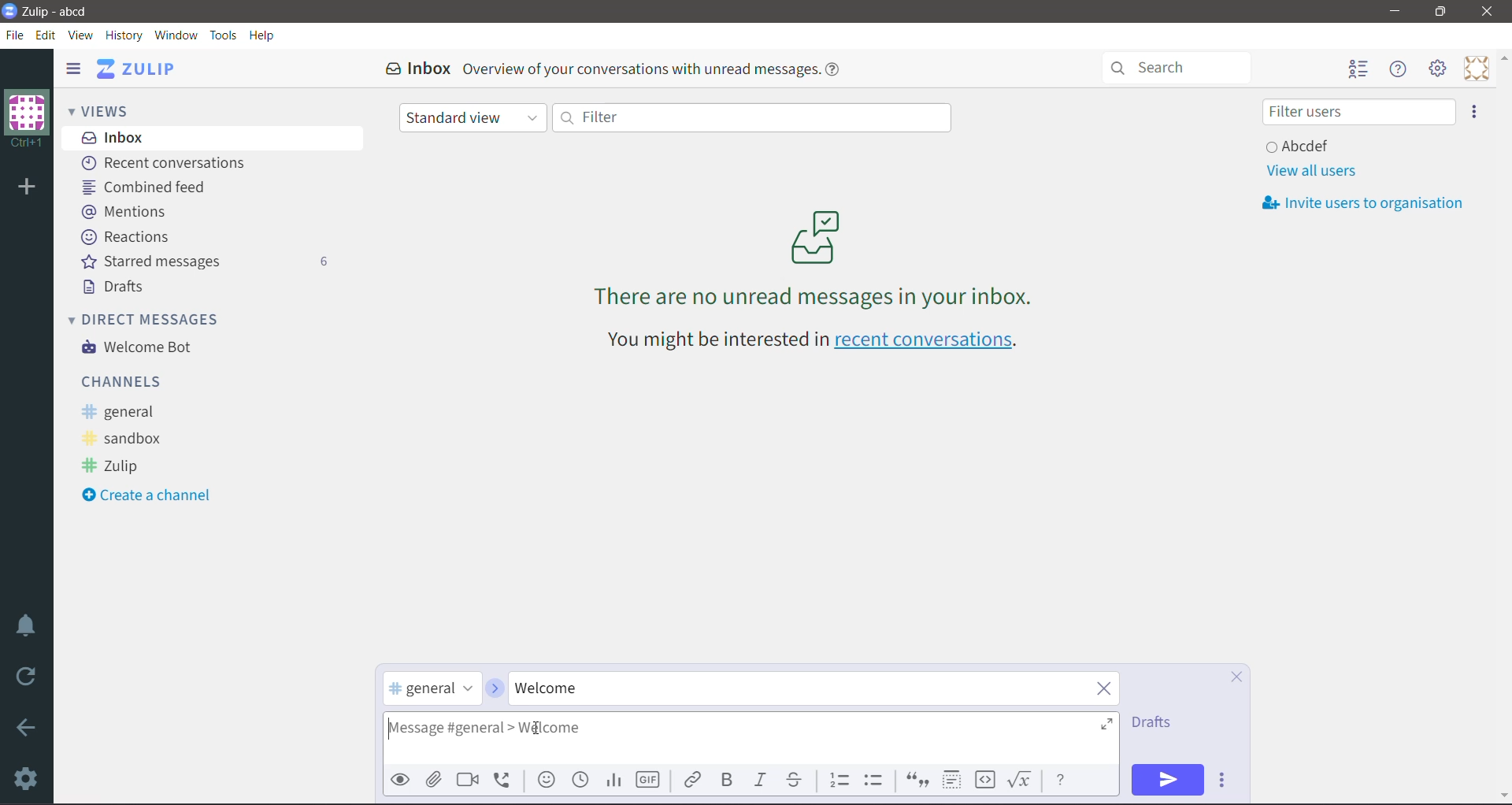 The width and height of the screenshot is (1512, 805). What do you see at coordinates (1184, 66) in the screenshot?
I see `Search` at bounding box center [1184, 66].